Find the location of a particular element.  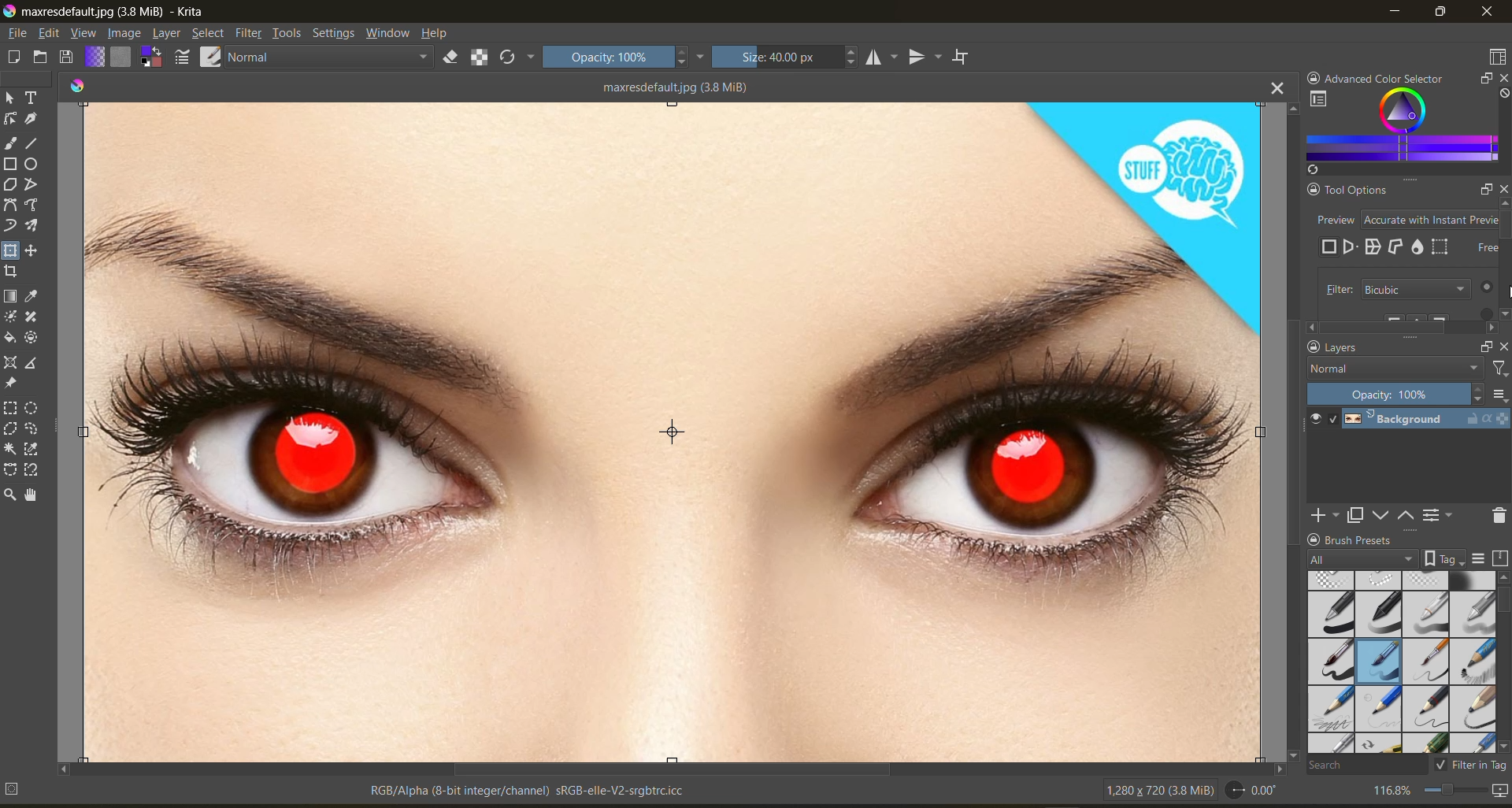

zoom factor is located at coordinates (1393, 790).